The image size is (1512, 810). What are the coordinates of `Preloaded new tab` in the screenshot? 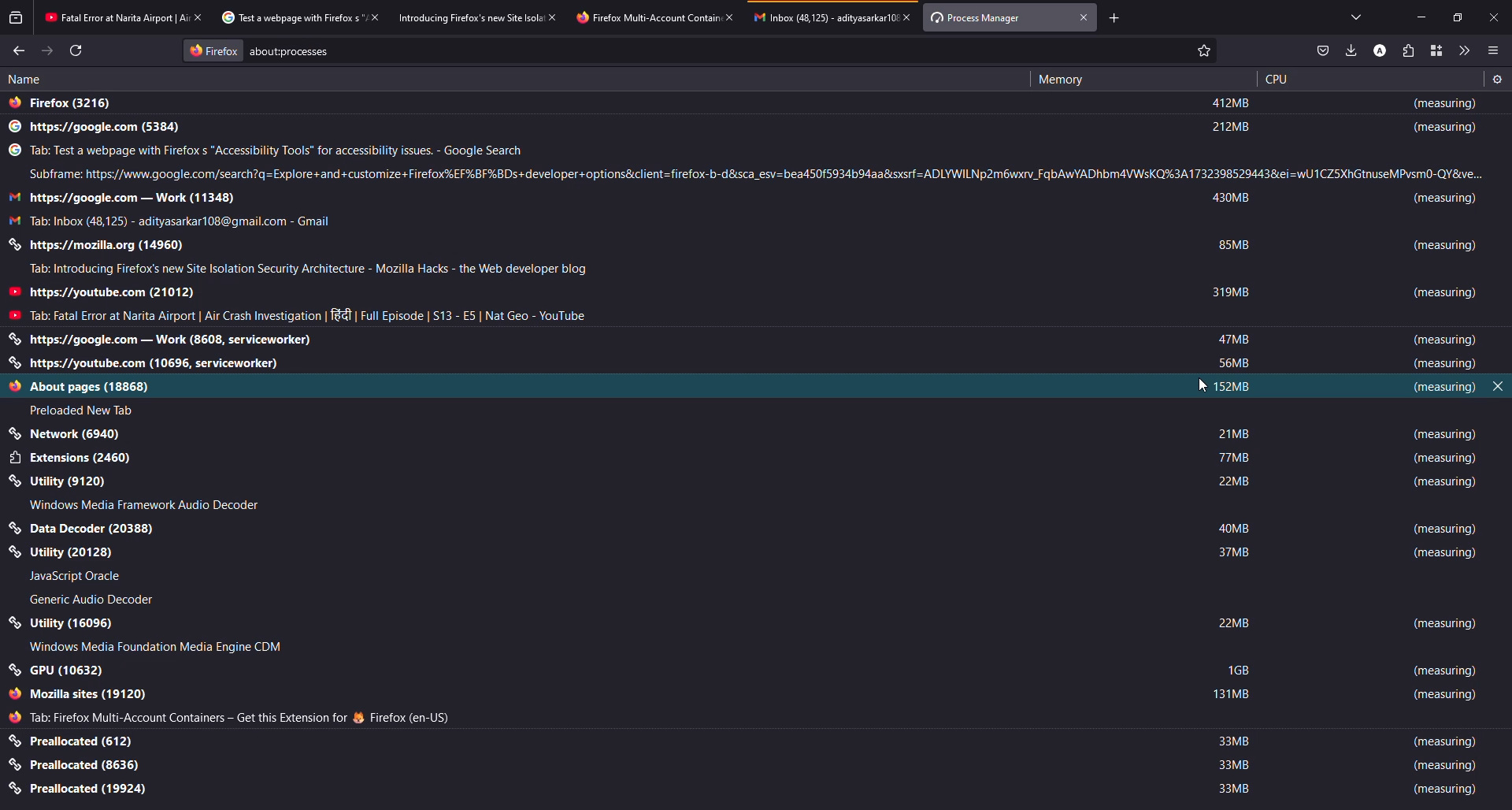 It's located at (85, 411).